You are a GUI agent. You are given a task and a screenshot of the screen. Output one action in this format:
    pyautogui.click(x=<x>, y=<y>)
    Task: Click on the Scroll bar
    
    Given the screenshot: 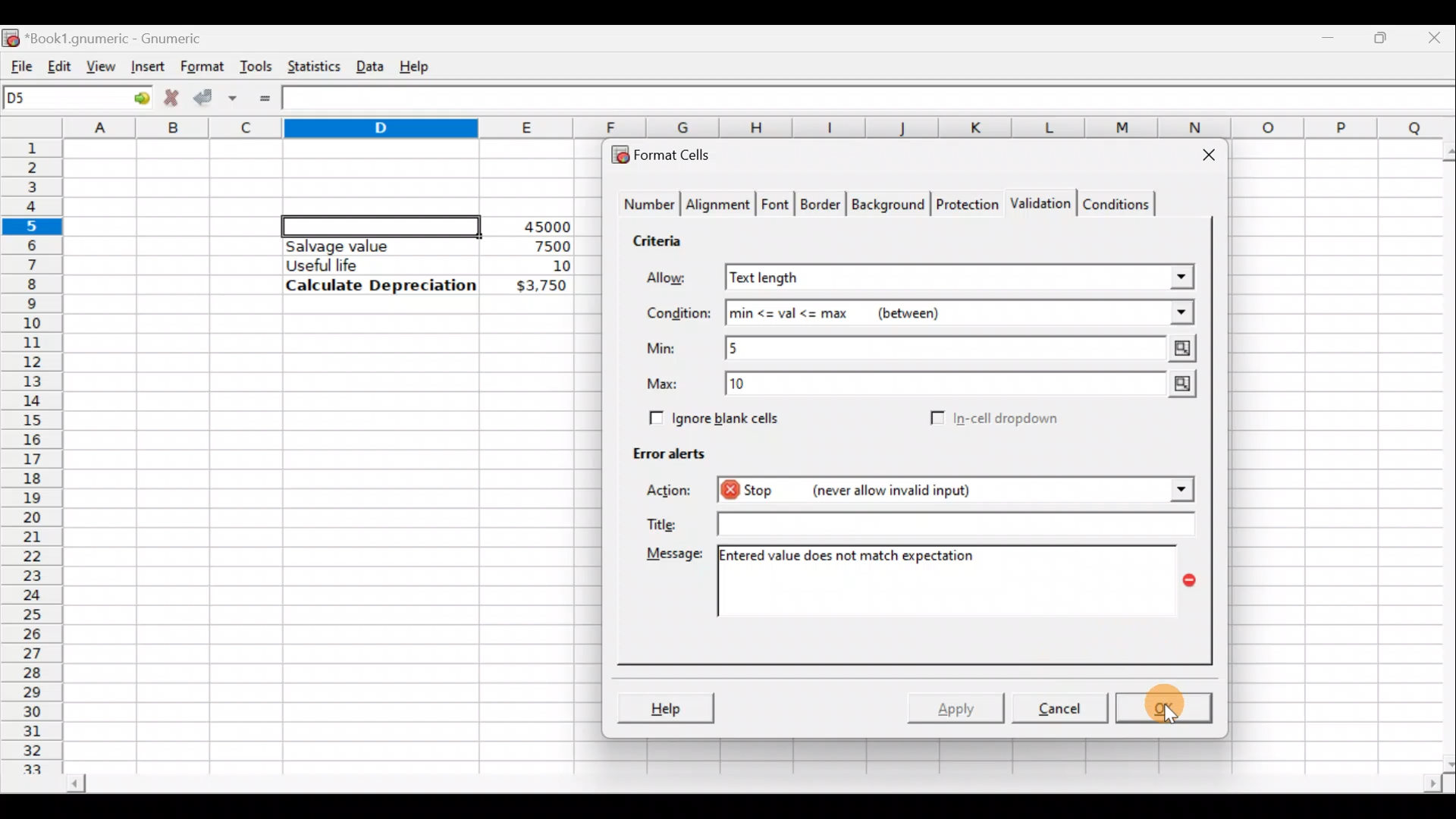 What is the action you would take?
    pyautogui.click(x=1439, y=454)
    